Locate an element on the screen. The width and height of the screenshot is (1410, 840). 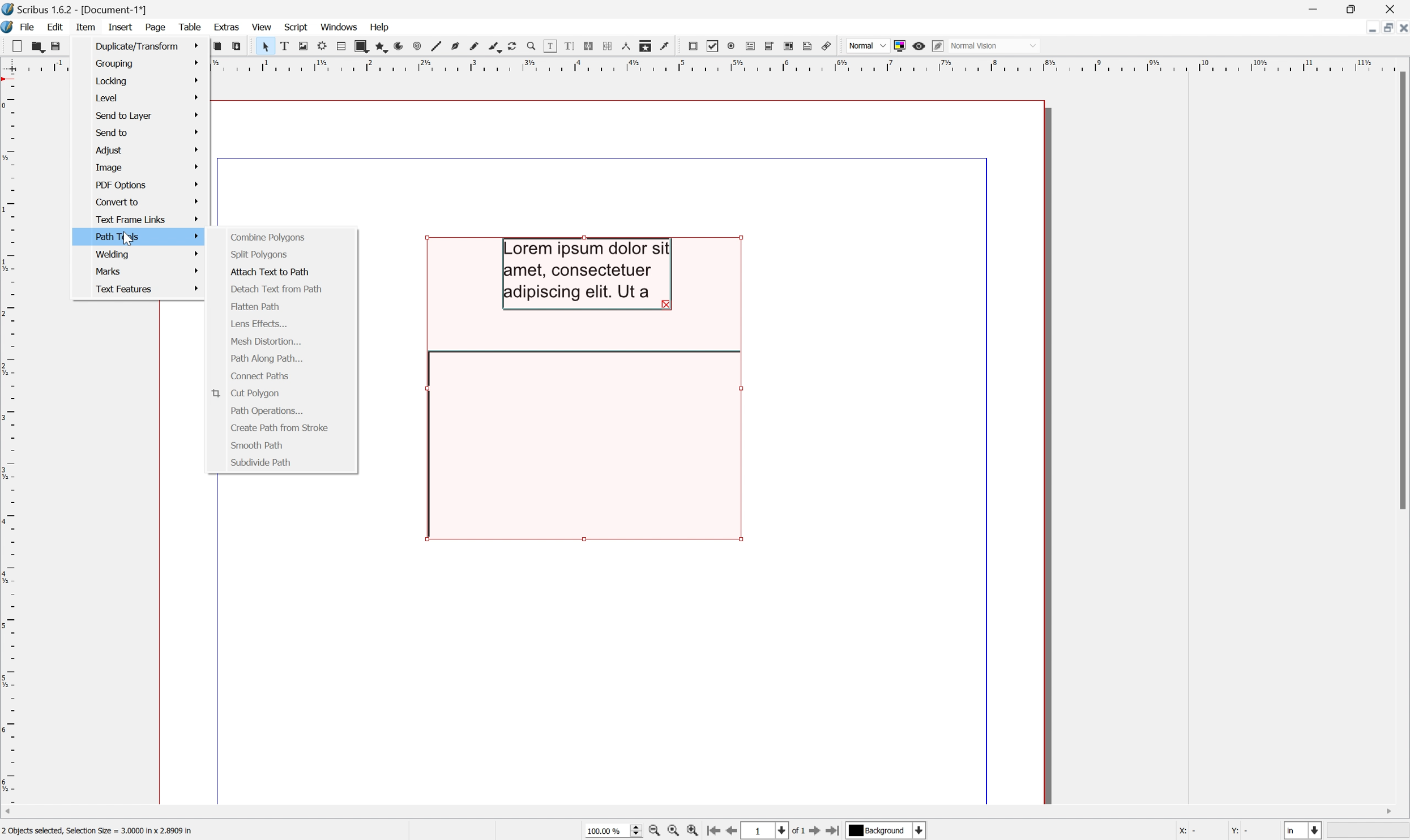
Spiral is located at coordinates (417, 46).